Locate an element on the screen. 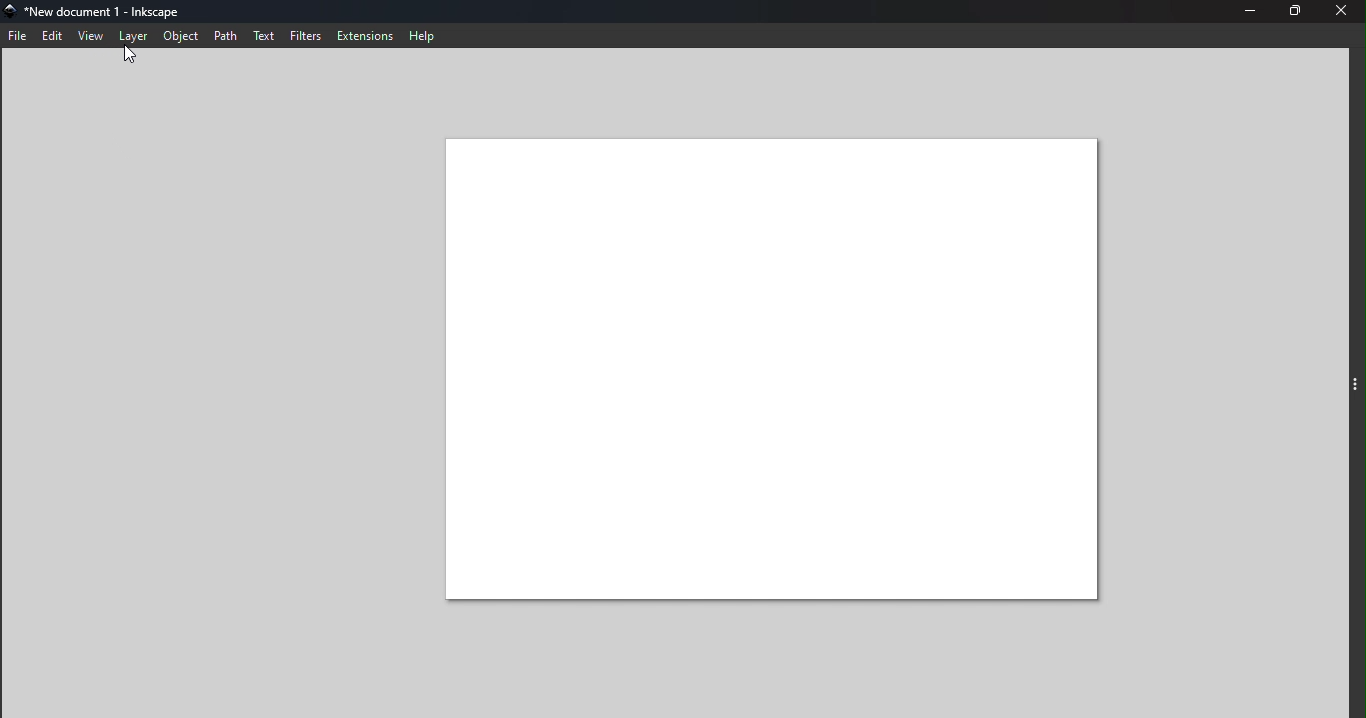  Minimize is located at coordinates (1245, 12).